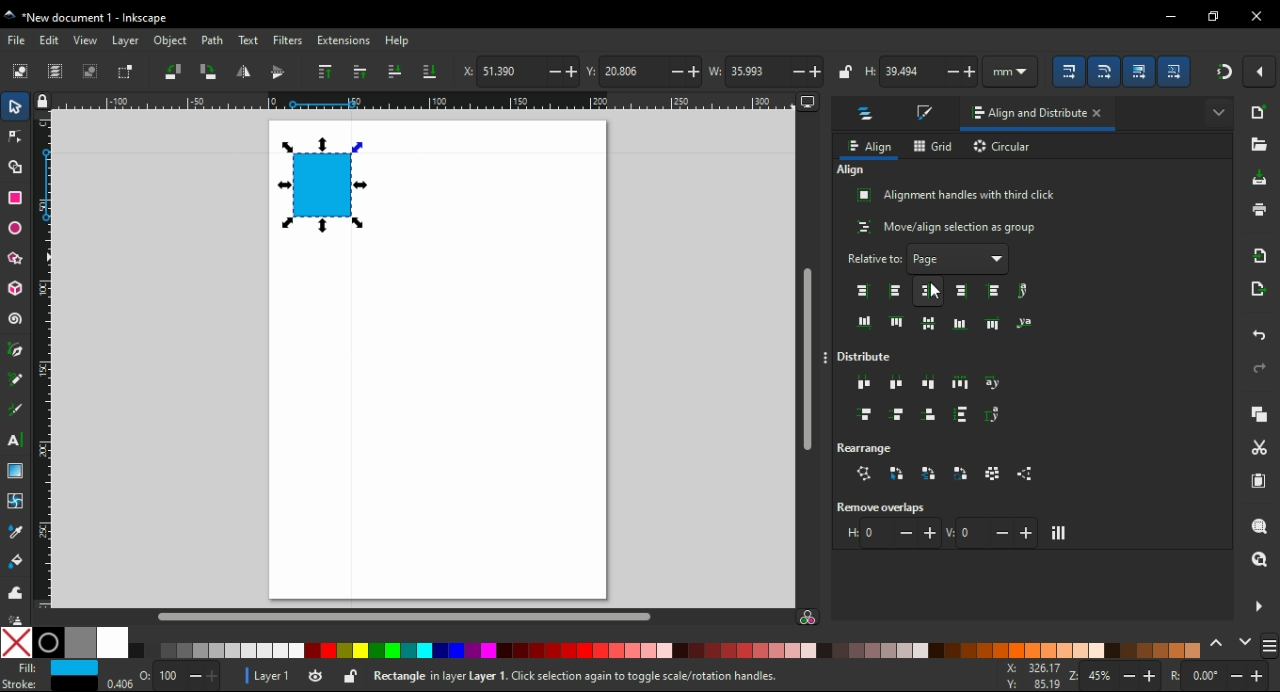  Describe the element at coordinates (172, 71) in the screenshot. I see `rotate object 90 CCW` at that location.